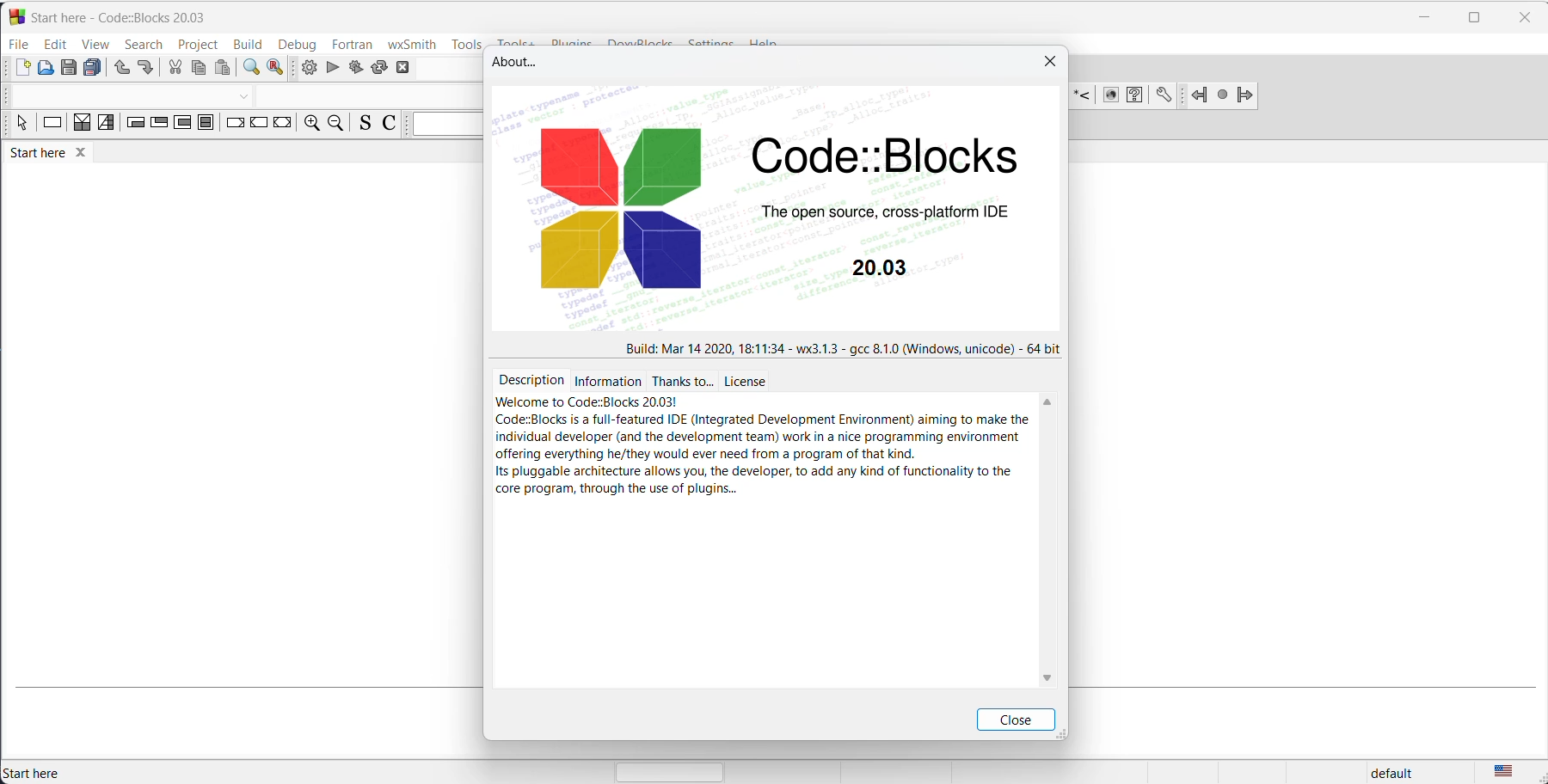 Image resolution: width=1548 pixels, height=784 pixels. What do you see at coordinates (80, 125) in the screenshot?
I see `decision` at bounding box center [80, 125].